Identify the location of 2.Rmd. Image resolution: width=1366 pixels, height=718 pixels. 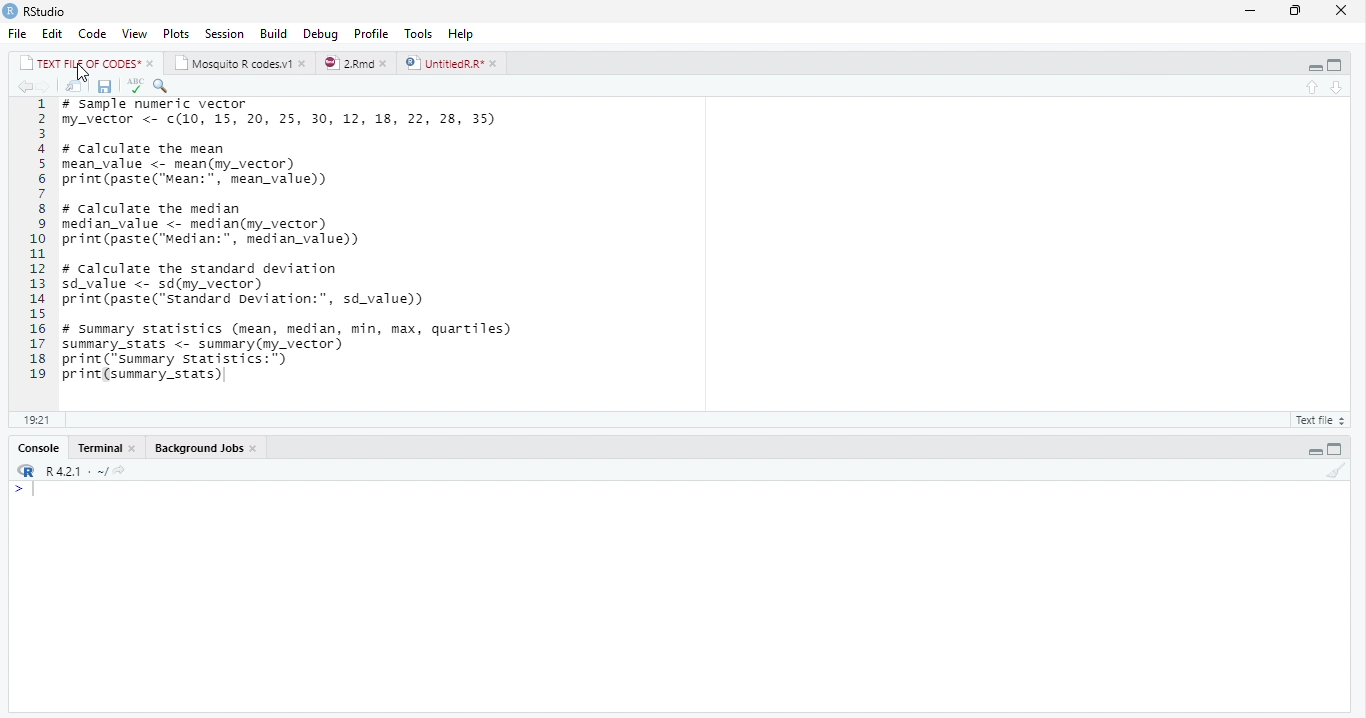
(348, 63).